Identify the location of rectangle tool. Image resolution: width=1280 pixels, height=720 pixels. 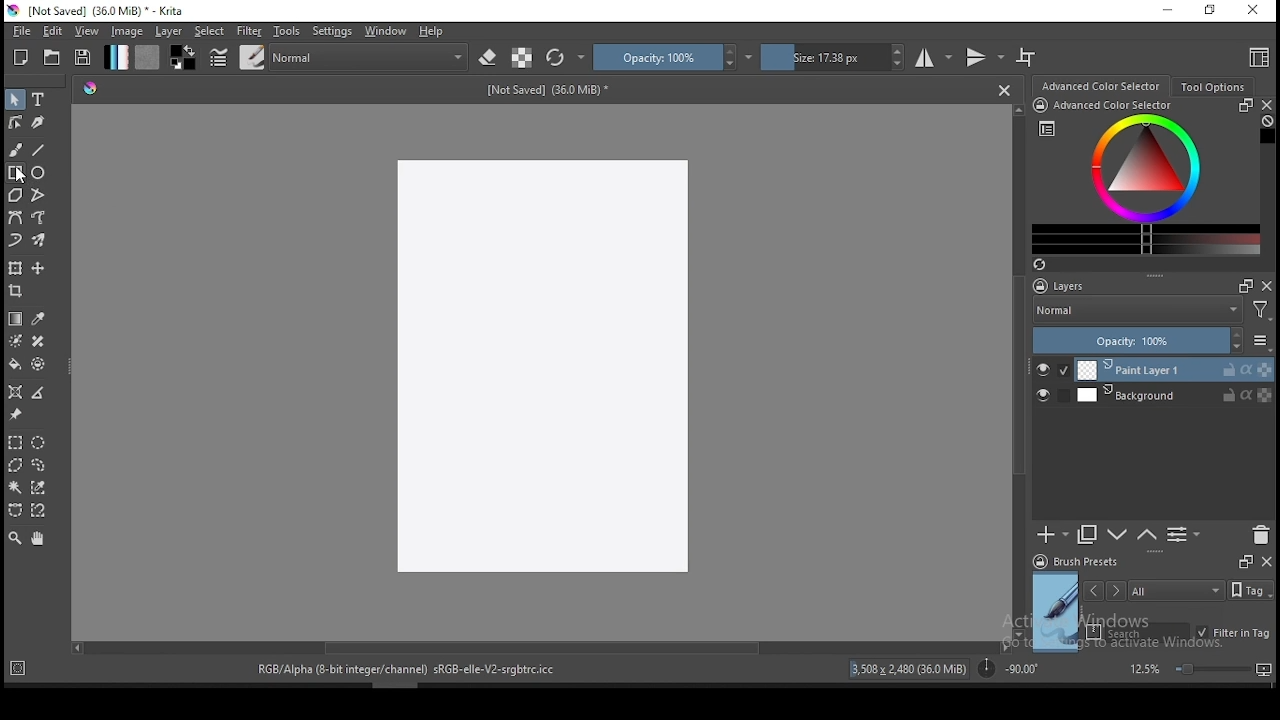
(15, 173).